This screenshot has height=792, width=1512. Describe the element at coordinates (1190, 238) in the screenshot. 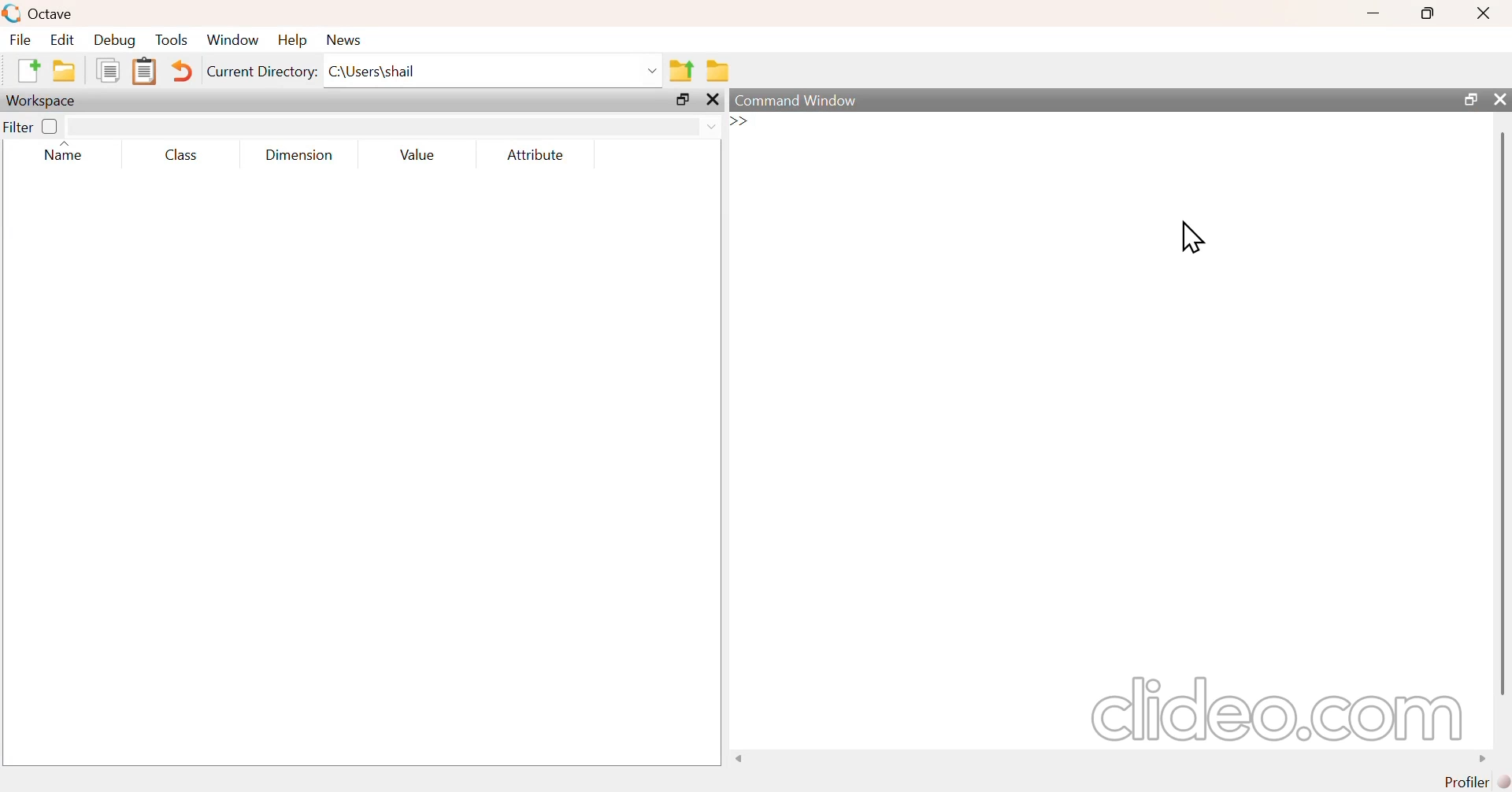

I see `cursor` at that location.